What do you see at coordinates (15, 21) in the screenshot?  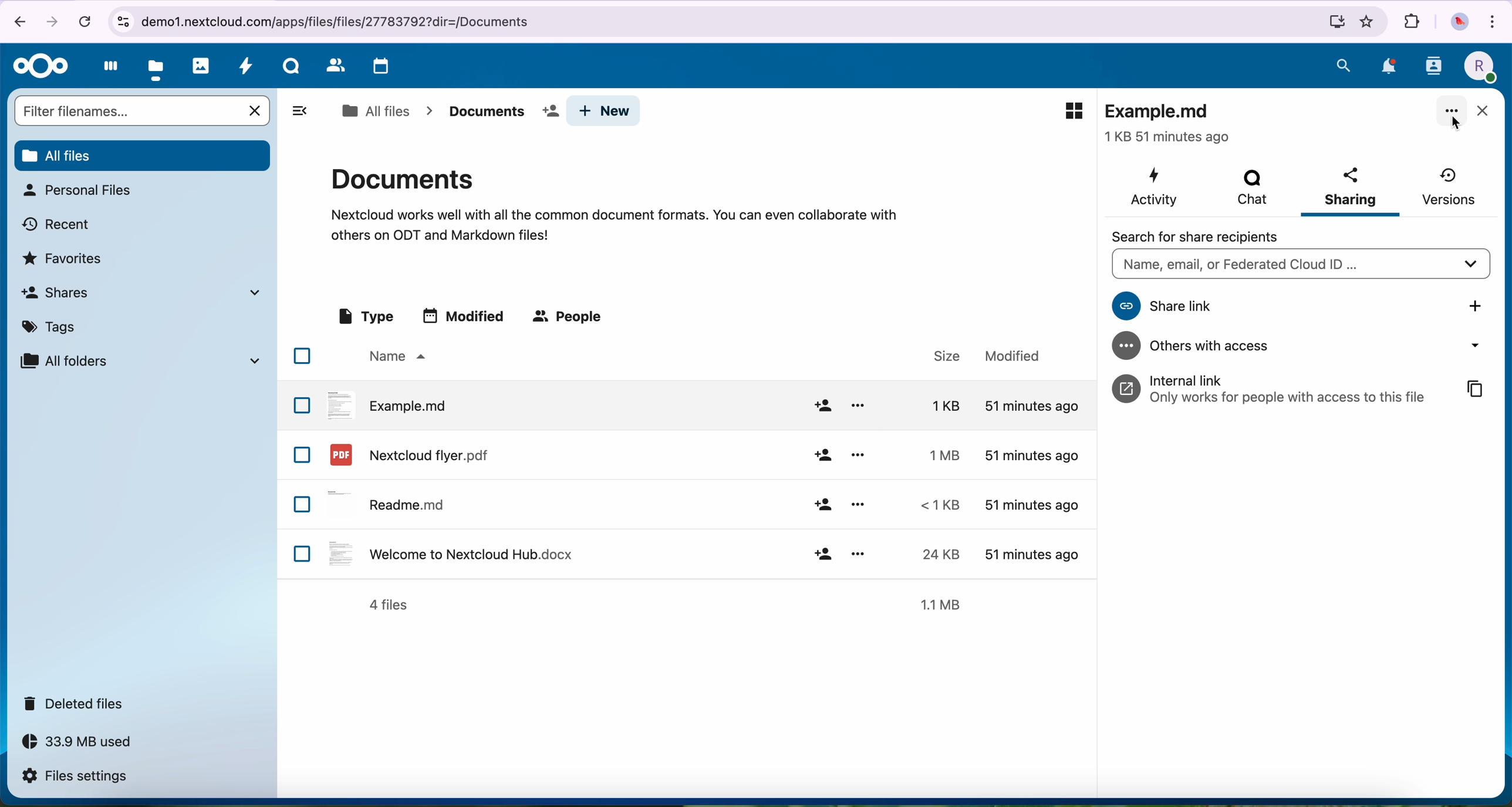 I see `navigate back` at bounding box center [15, 21].